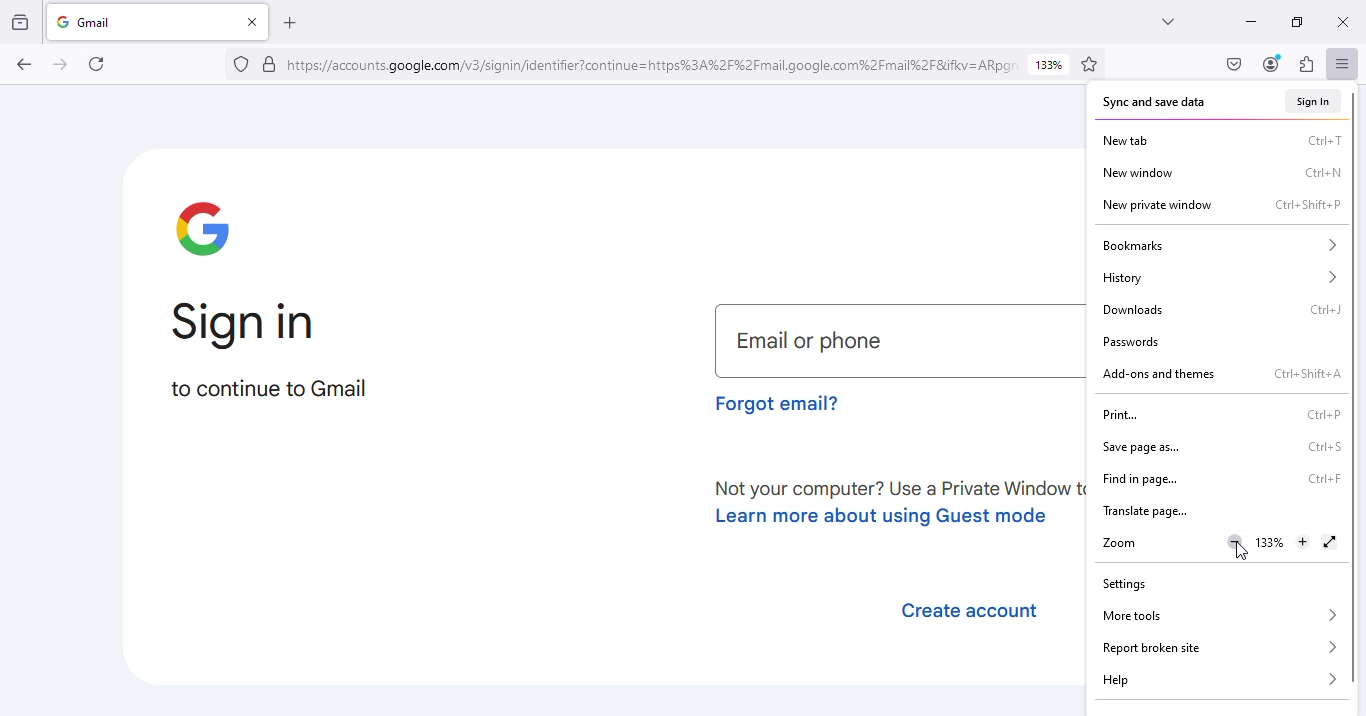 This screenshot has height=716, width=1366. Describe the element at coordinates (1141, 480) in the screenshot. I see `find in page..` at that location.